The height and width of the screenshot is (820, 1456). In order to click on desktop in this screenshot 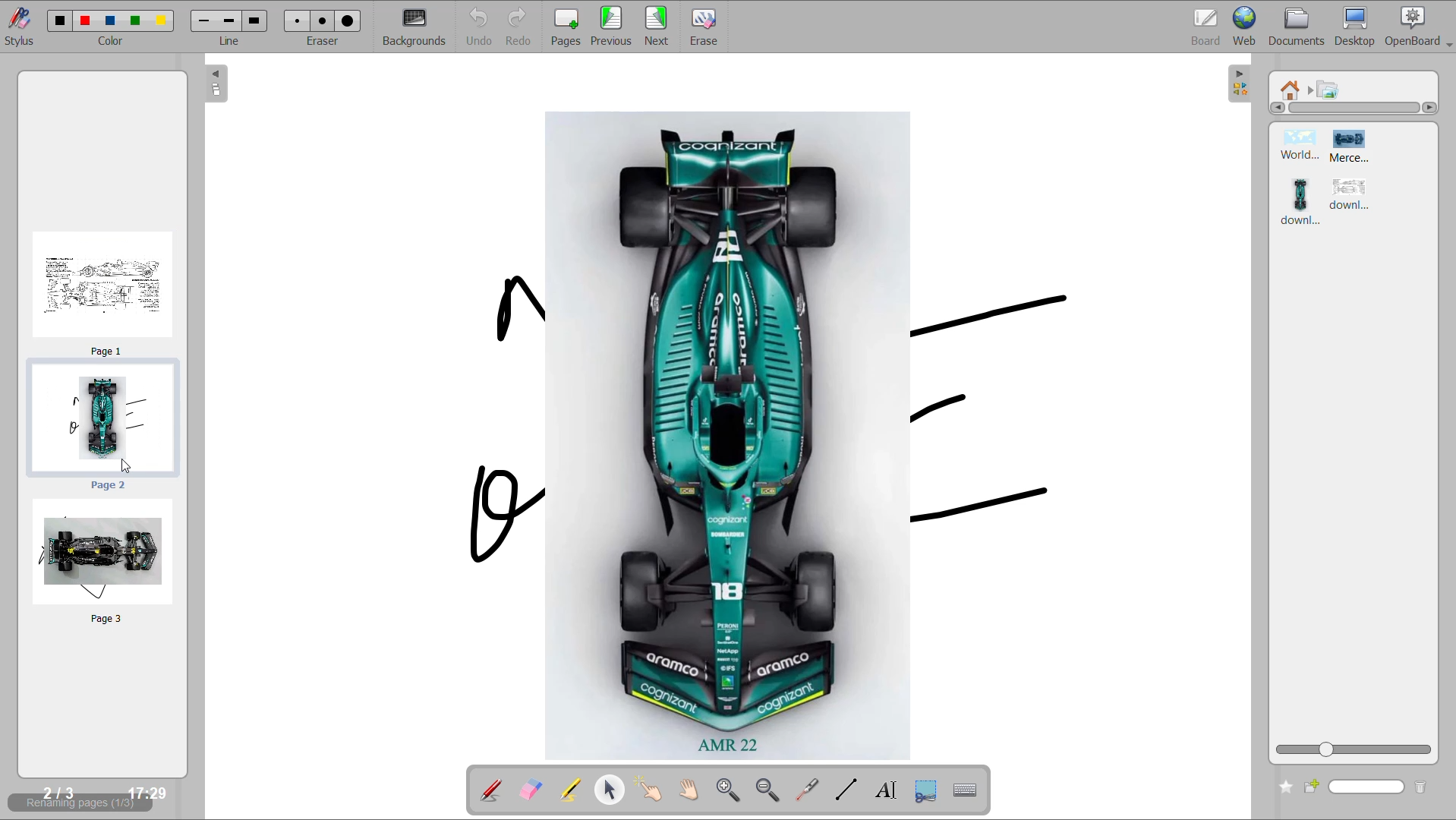, I will do `click(1358, 28)`.